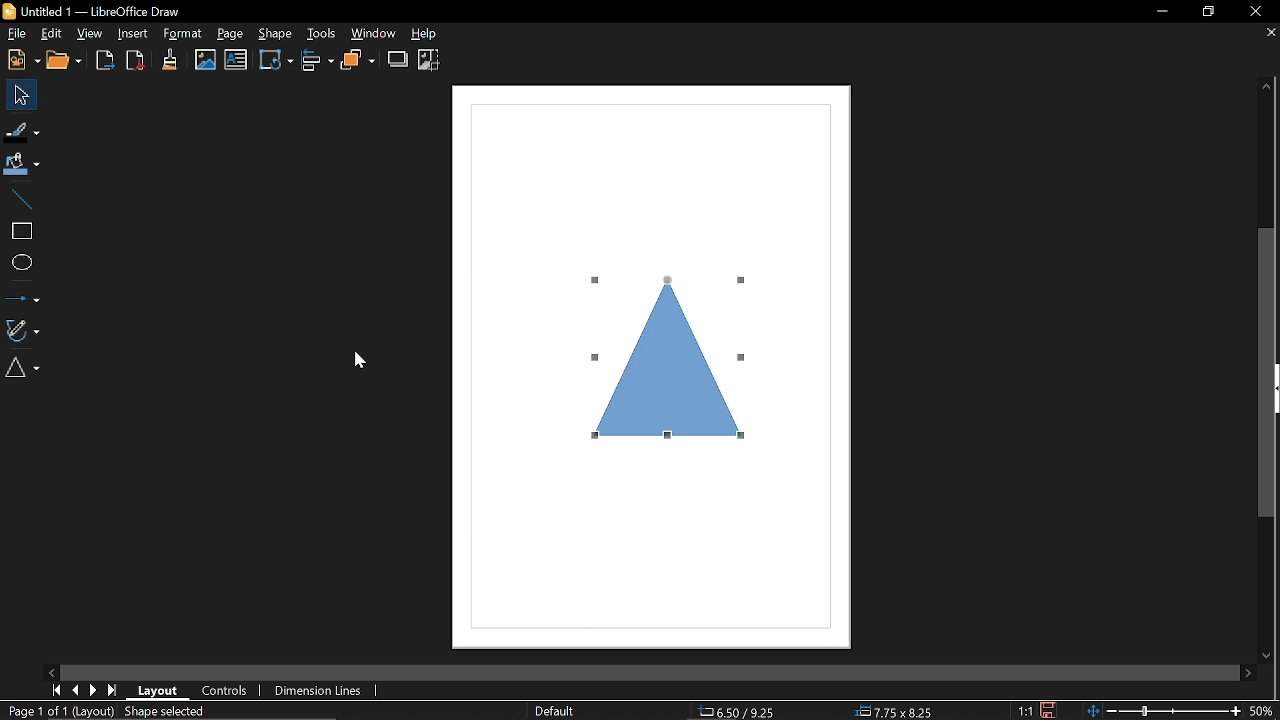 The width and height of the screenshot is (1280, 720). What do you see at coordinates (230, 34) in the screenshot?
I see `Page` at bounding box center [230, 34].